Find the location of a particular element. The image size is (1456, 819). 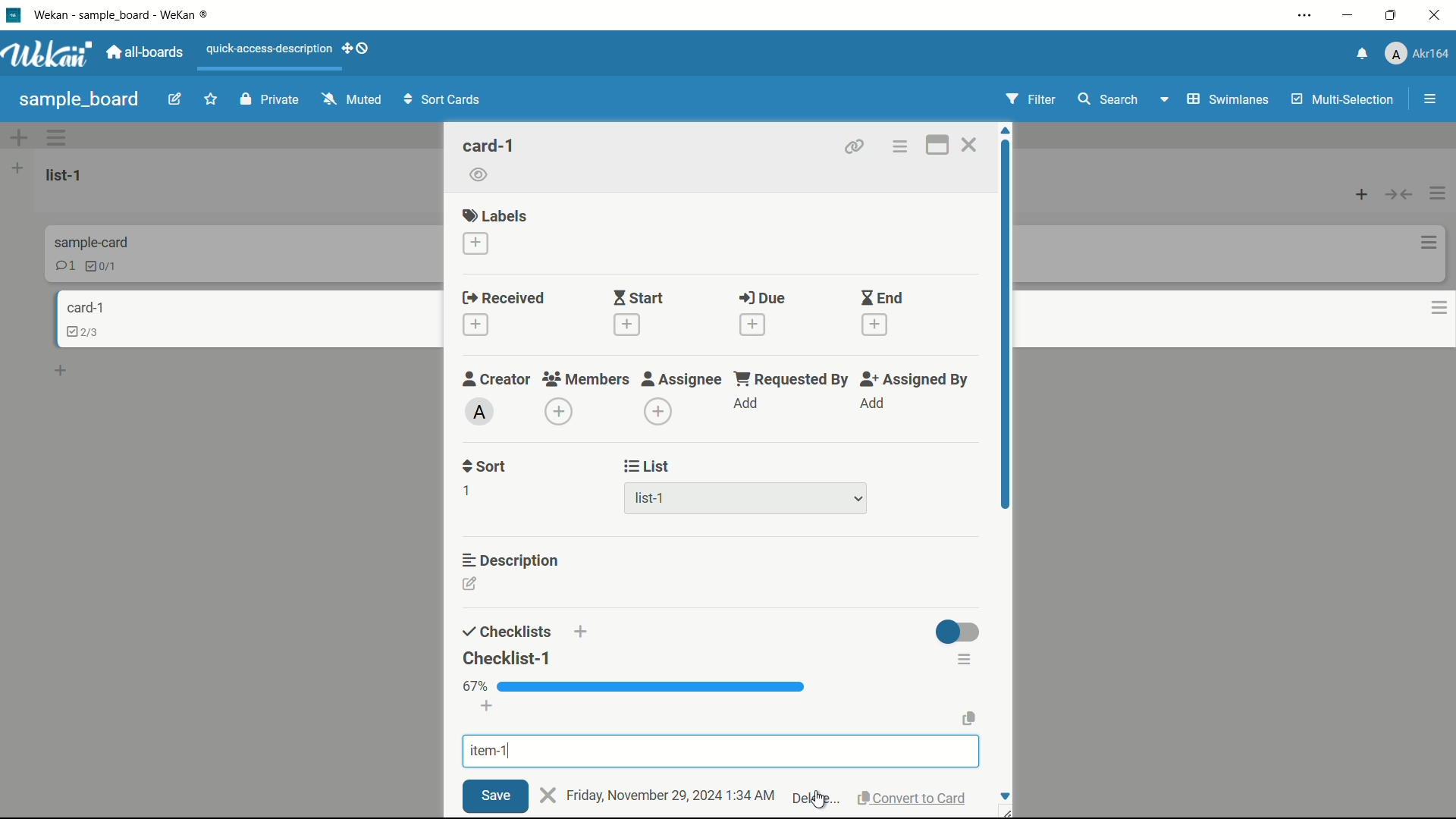

list is located at coordinates (648, 466).